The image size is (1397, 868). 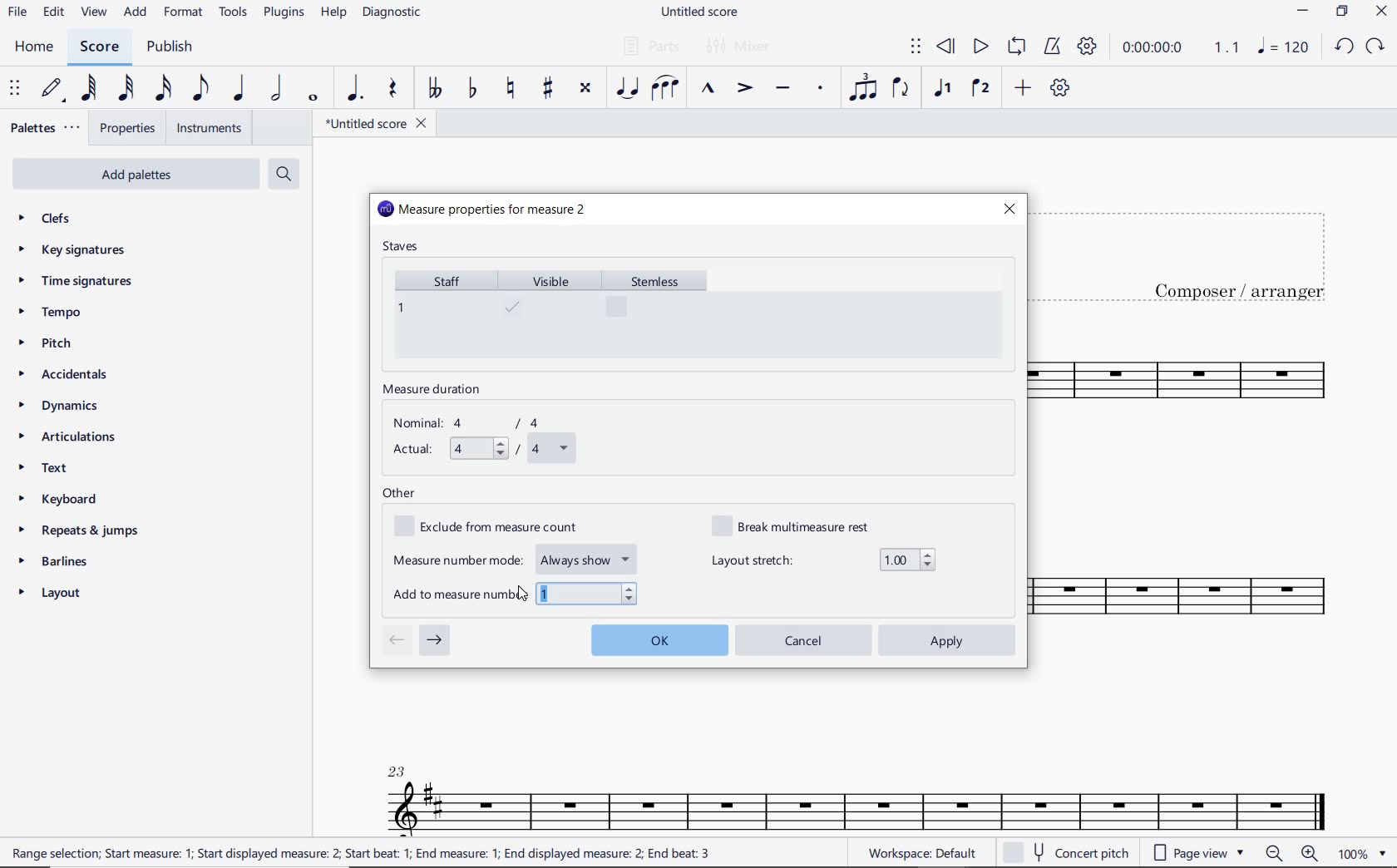 I want to click on CLEFS, so click(x=55, y=219).